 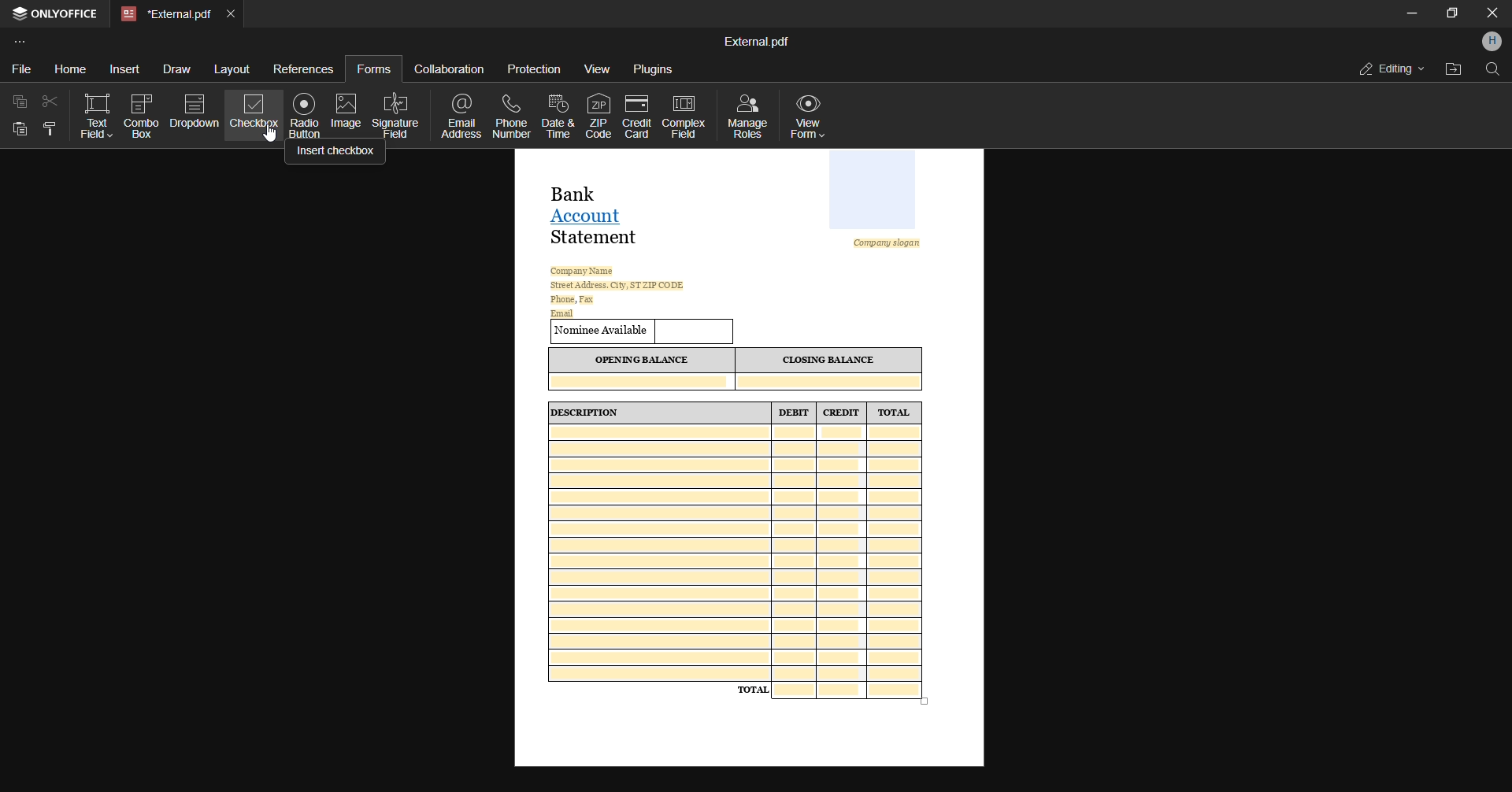 What do you see at coordinates (635, 116) in the screenshot?
I see `credit card` at bounding box center [635, 116].